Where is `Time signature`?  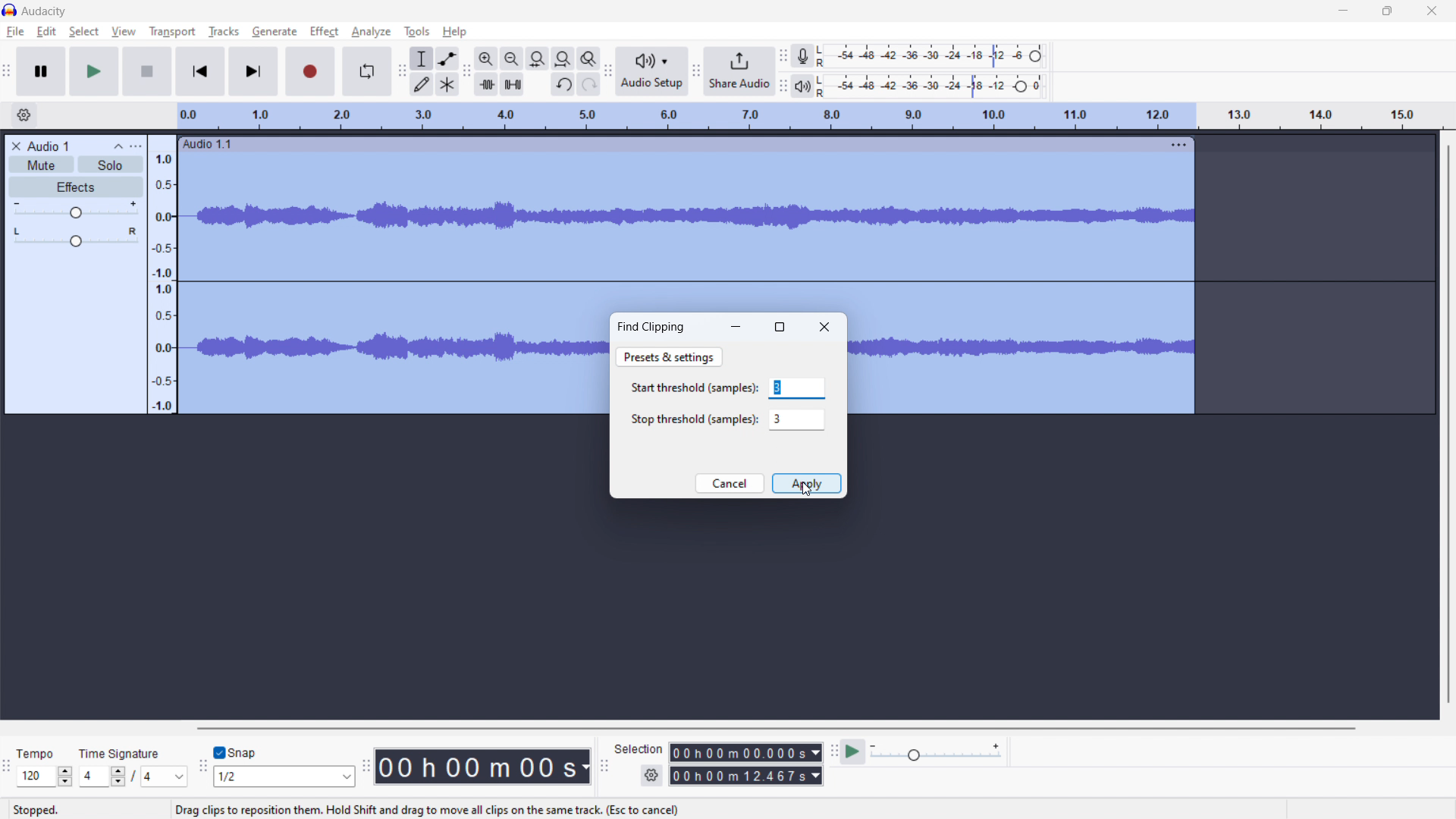
Time signature is located at coordinates (121, 755).